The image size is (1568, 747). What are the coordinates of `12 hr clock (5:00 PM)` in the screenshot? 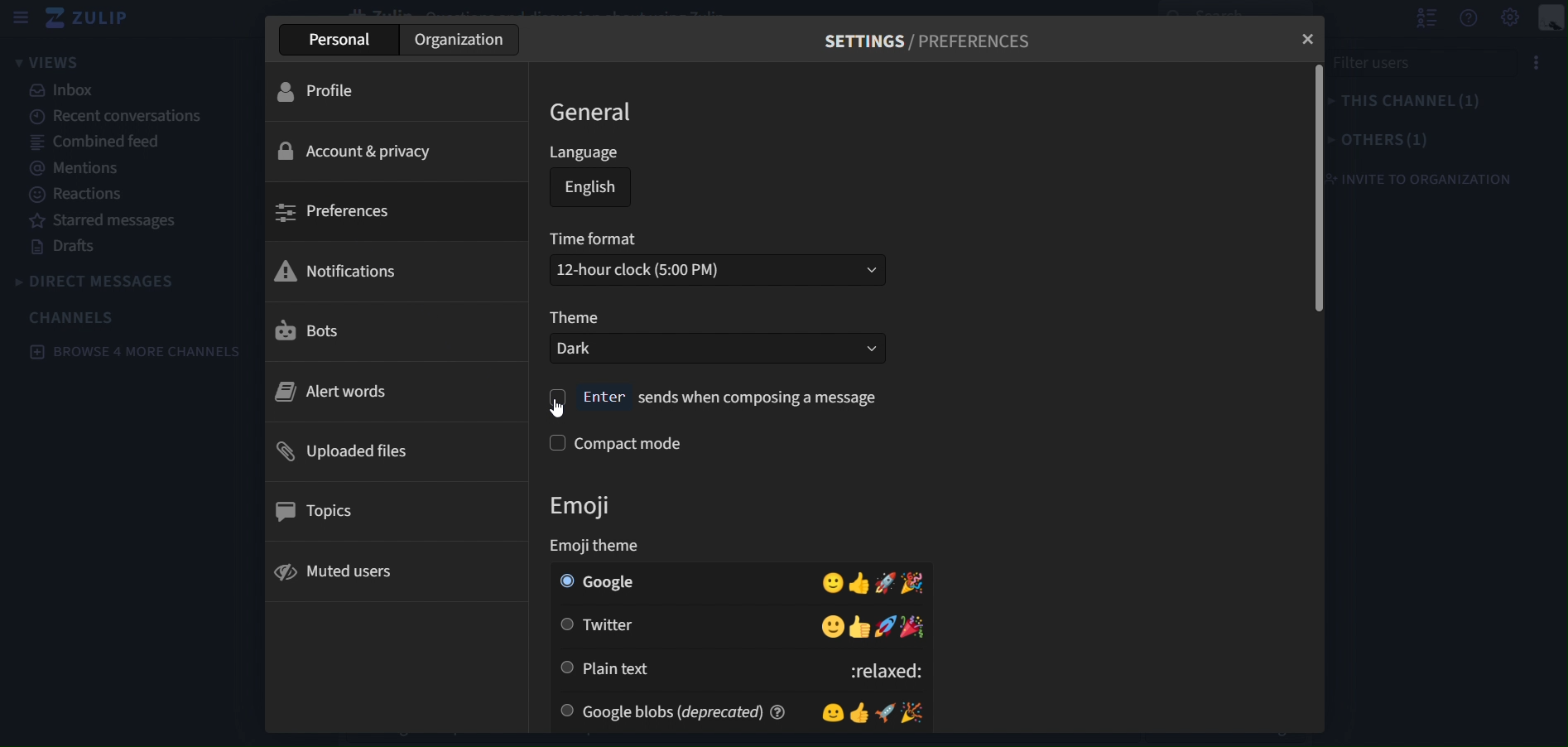 It's located at (682, 269).